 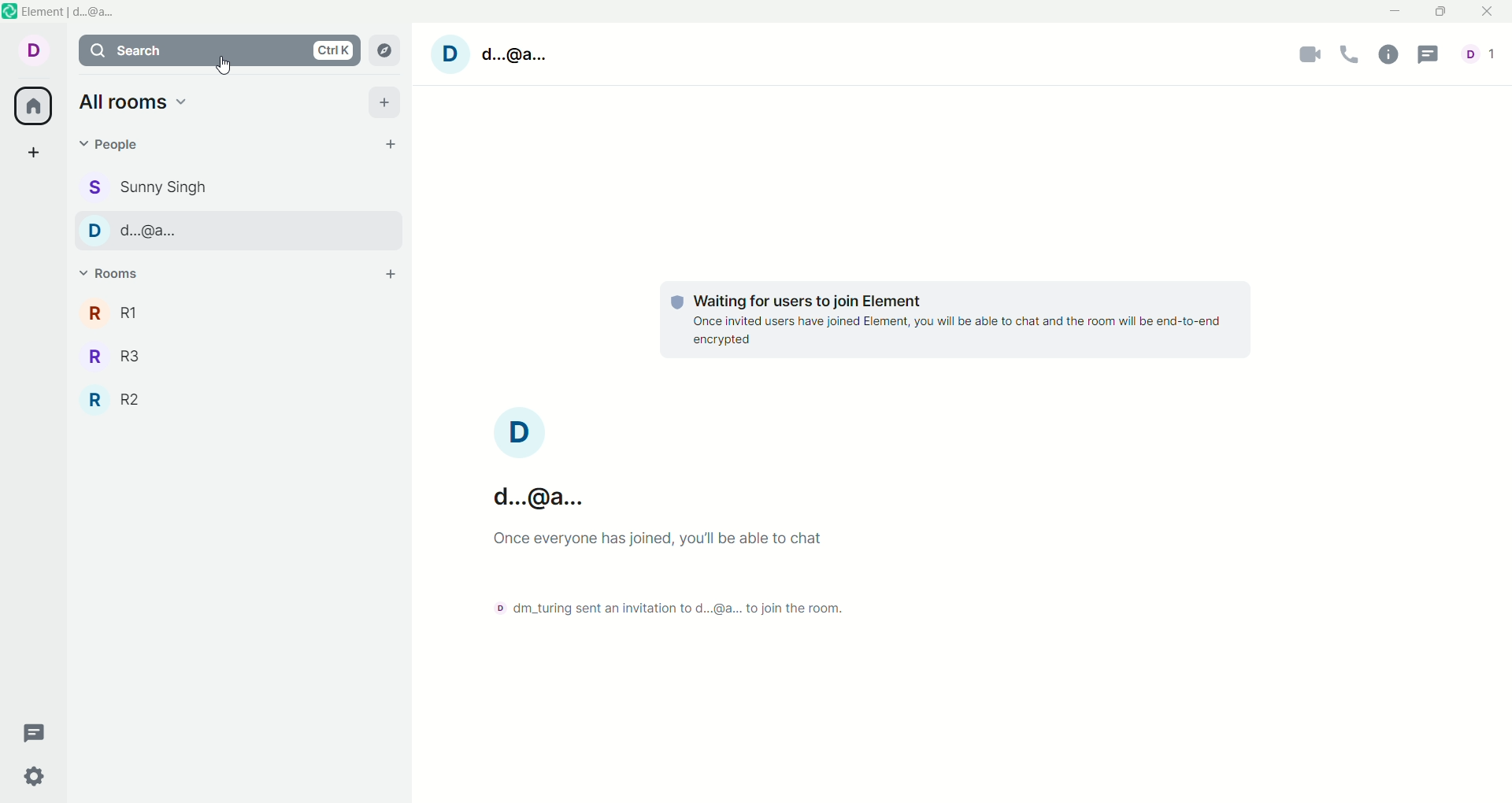 I want to click on R2, so click(x=117, y=399).